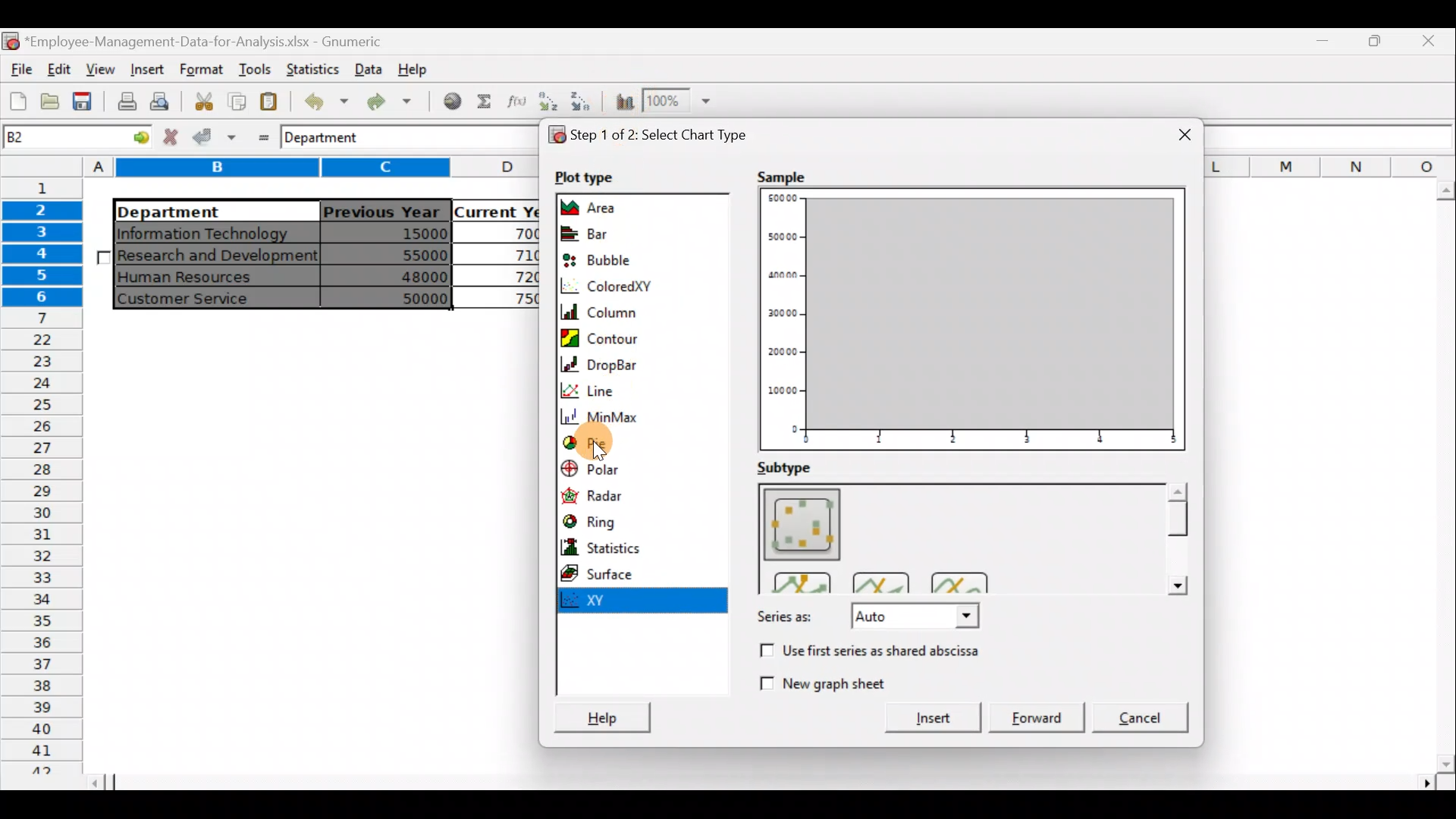 The height and width of the screenshot is (819, 1456). Describe the element at coordinates (61, 67) in the screenshot. I see `Edit` at that location.